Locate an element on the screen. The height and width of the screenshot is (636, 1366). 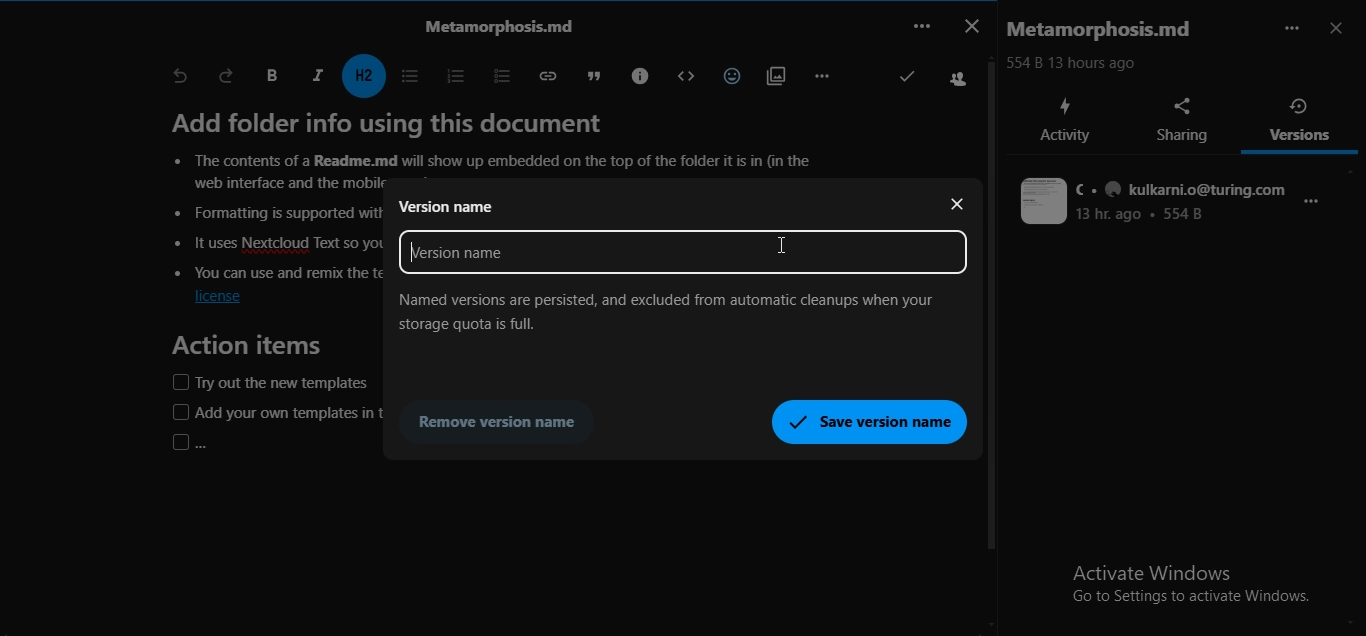
insert emoji is located at coordinates (728, 73).